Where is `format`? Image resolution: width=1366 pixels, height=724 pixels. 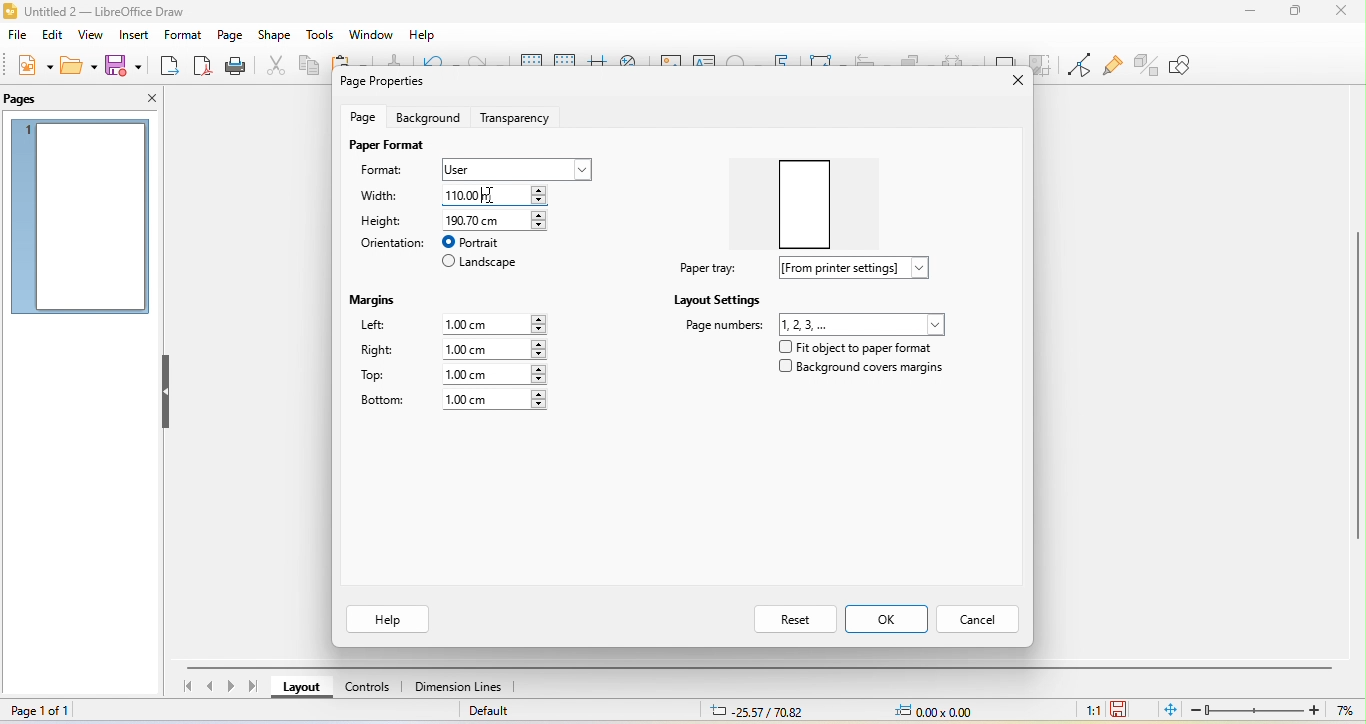
format is located at coordinates (180, 37).